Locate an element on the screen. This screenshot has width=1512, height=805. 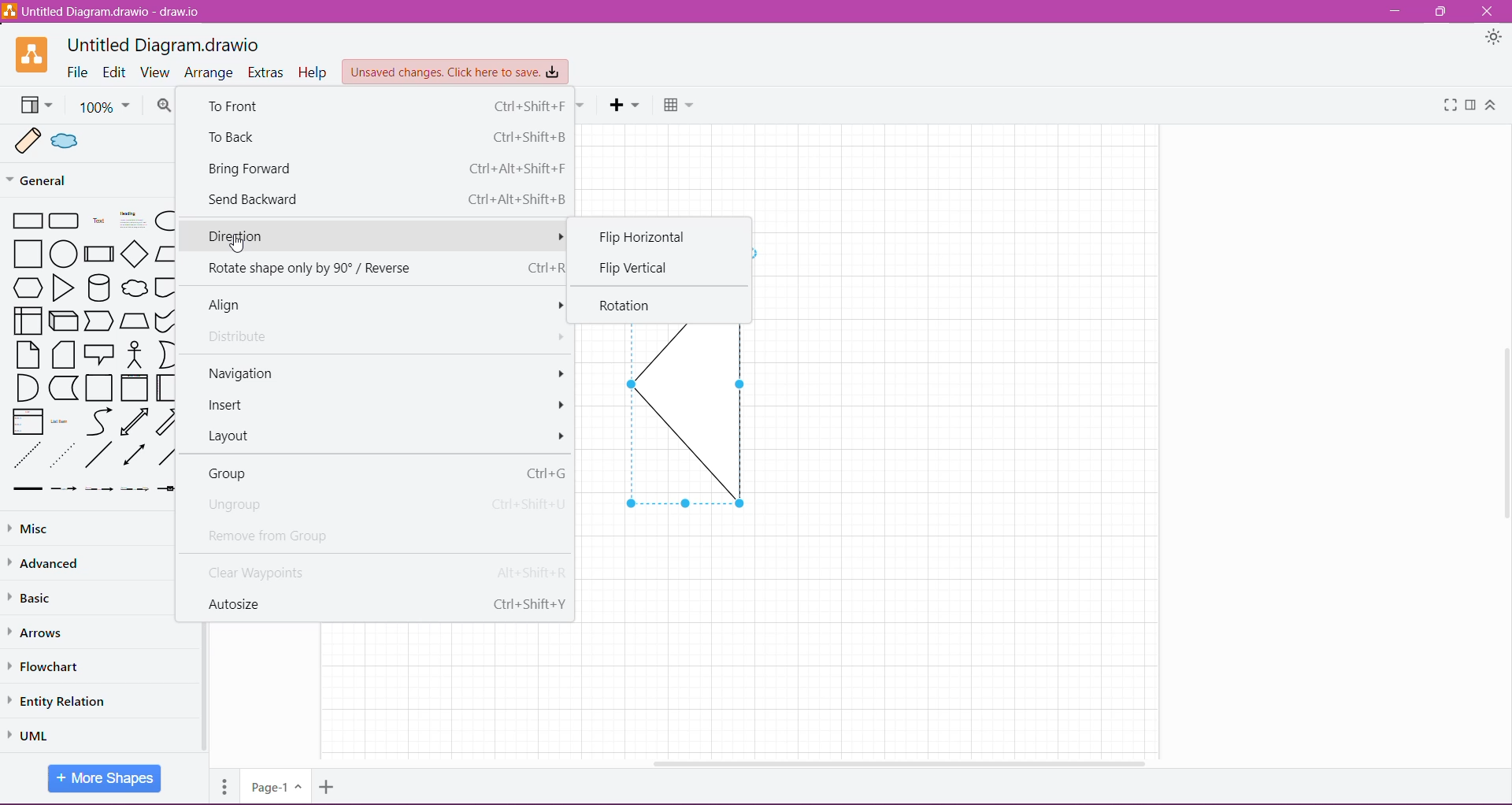
Flip Vertical is located at coordinates (635, 269).